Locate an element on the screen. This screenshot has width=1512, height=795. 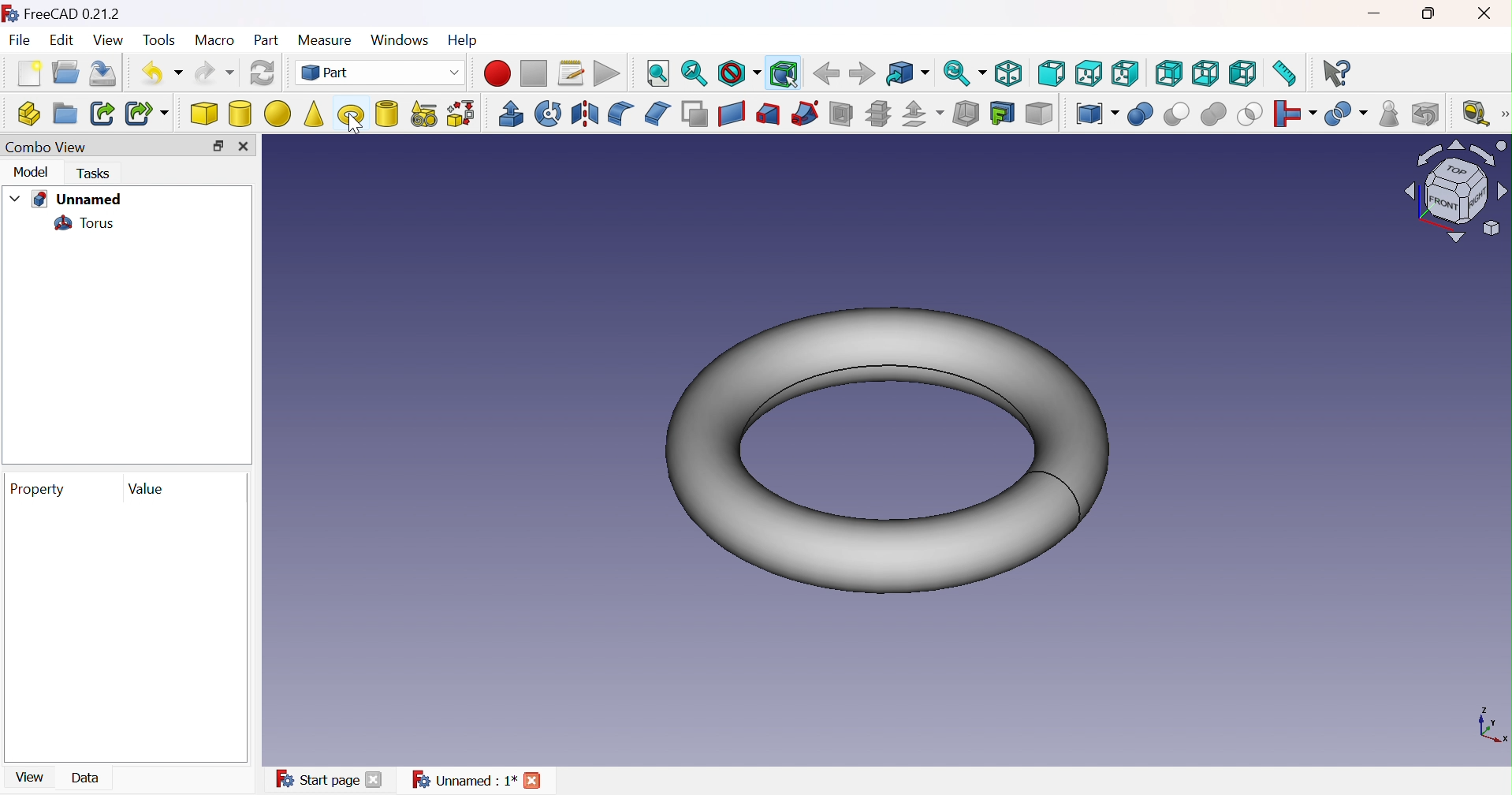
Help is located at coordinates (465, 41).